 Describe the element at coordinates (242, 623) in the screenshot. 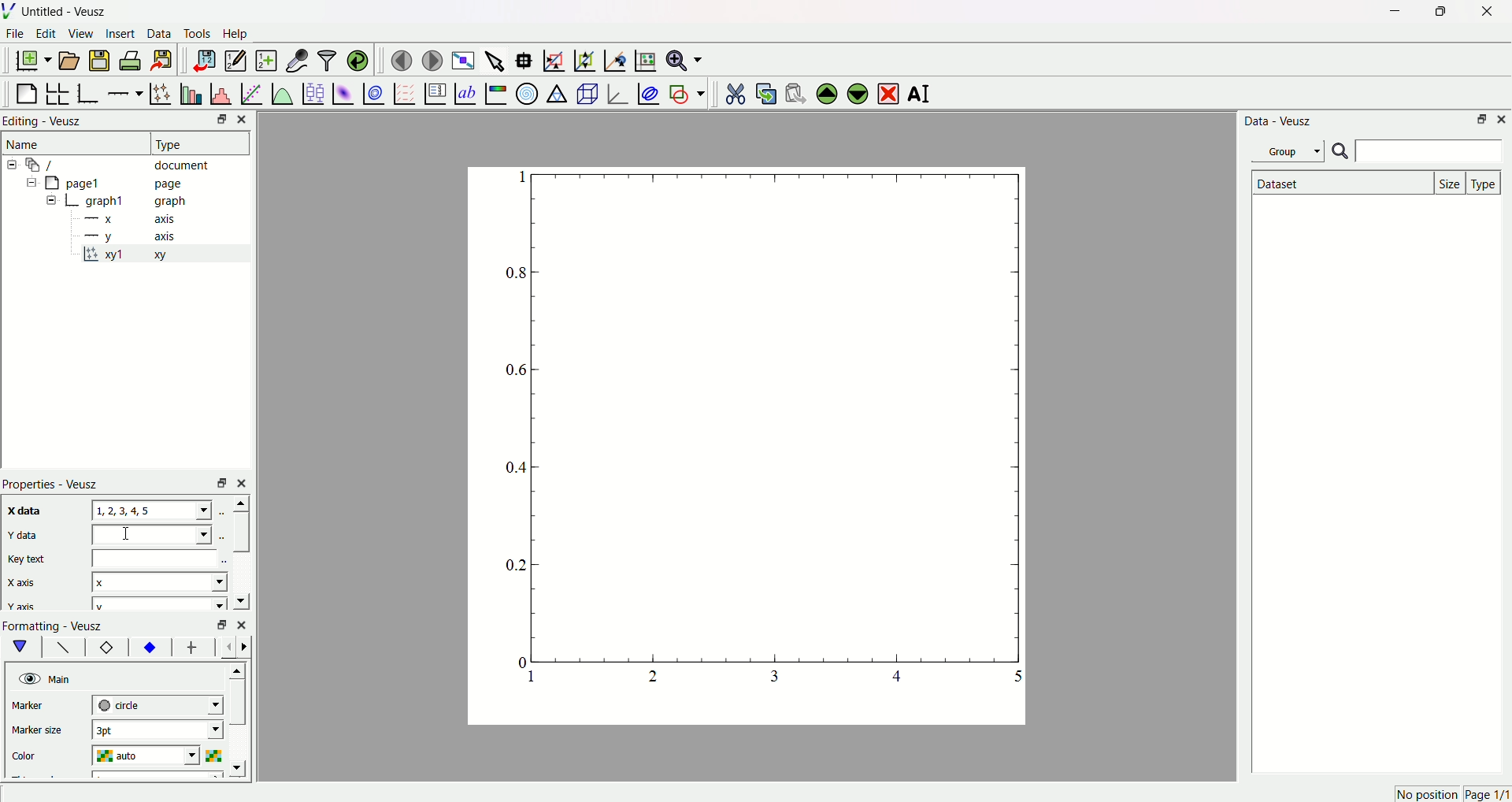

I see `close` at that location.